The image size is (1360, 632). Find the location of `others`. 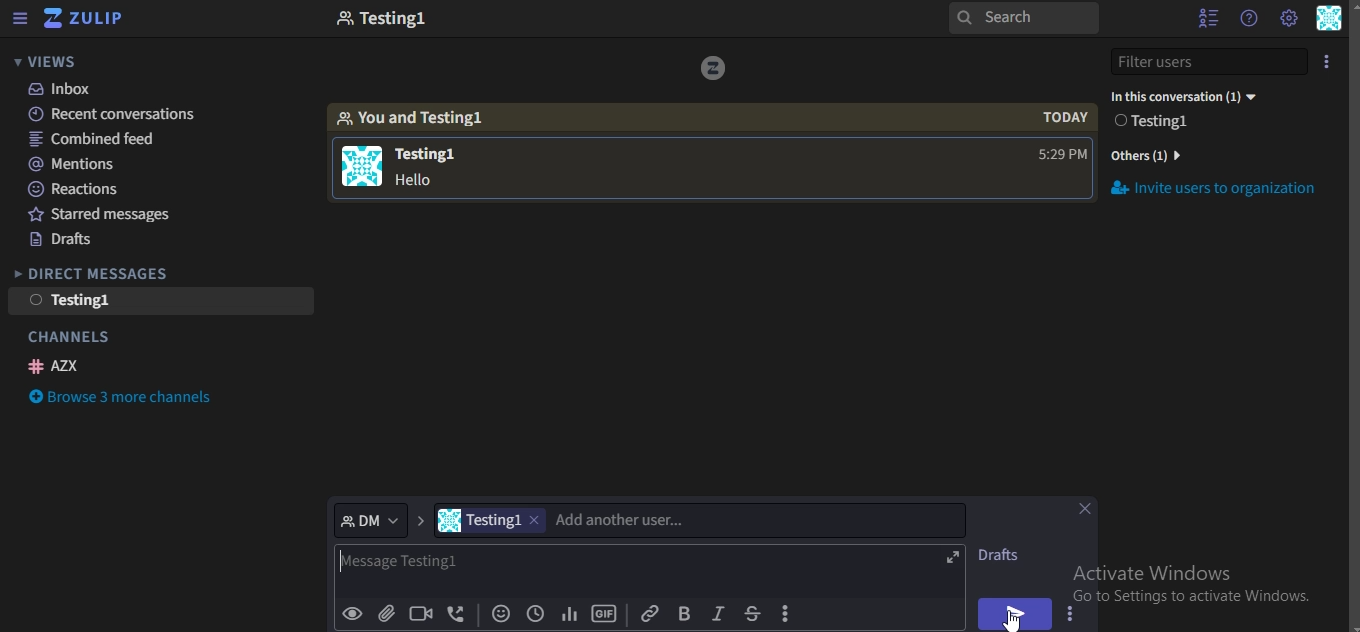

others is located at coordinates (1149, 155).